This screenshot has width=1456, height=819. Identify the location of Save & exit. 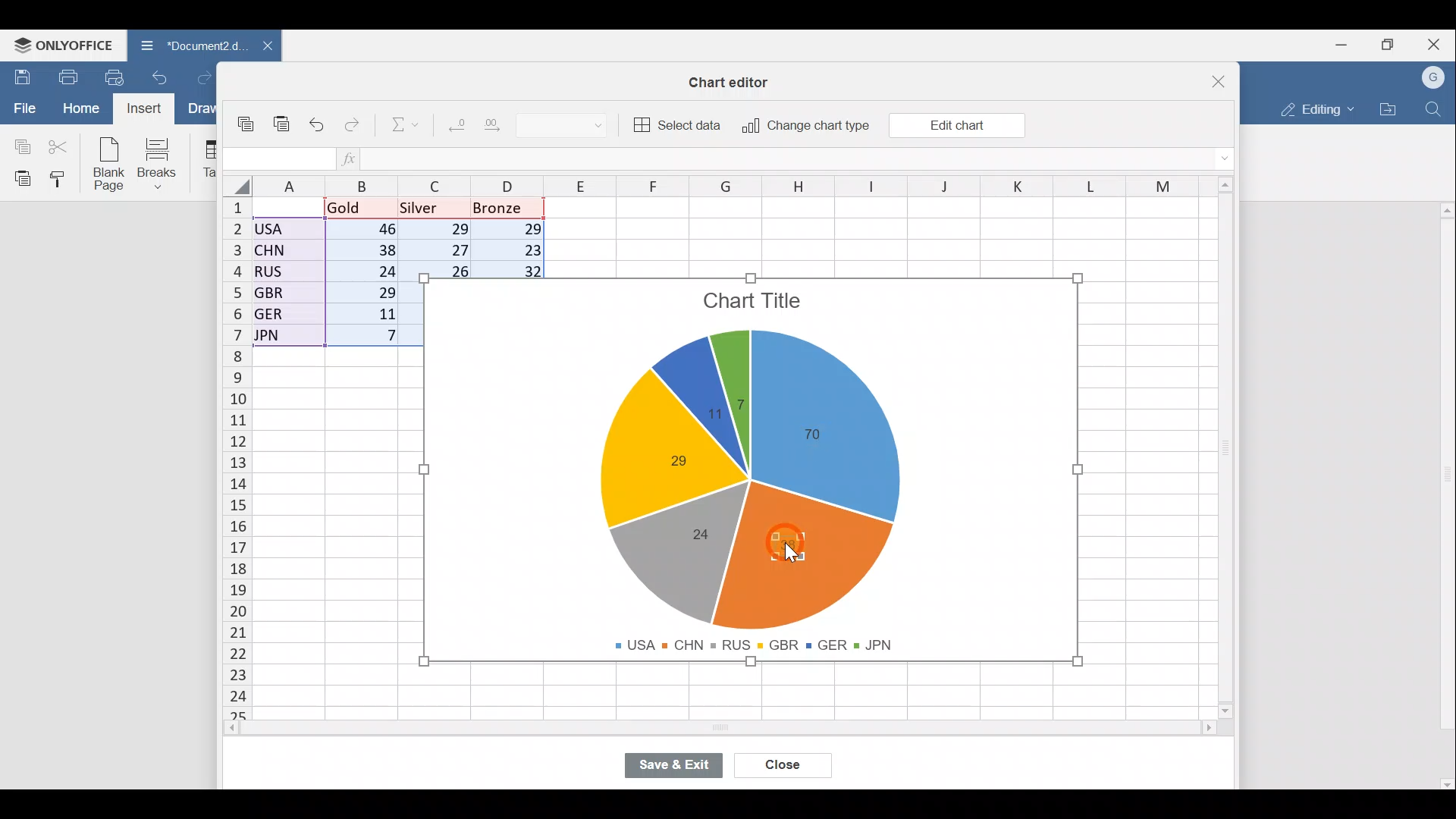
(682, 767).